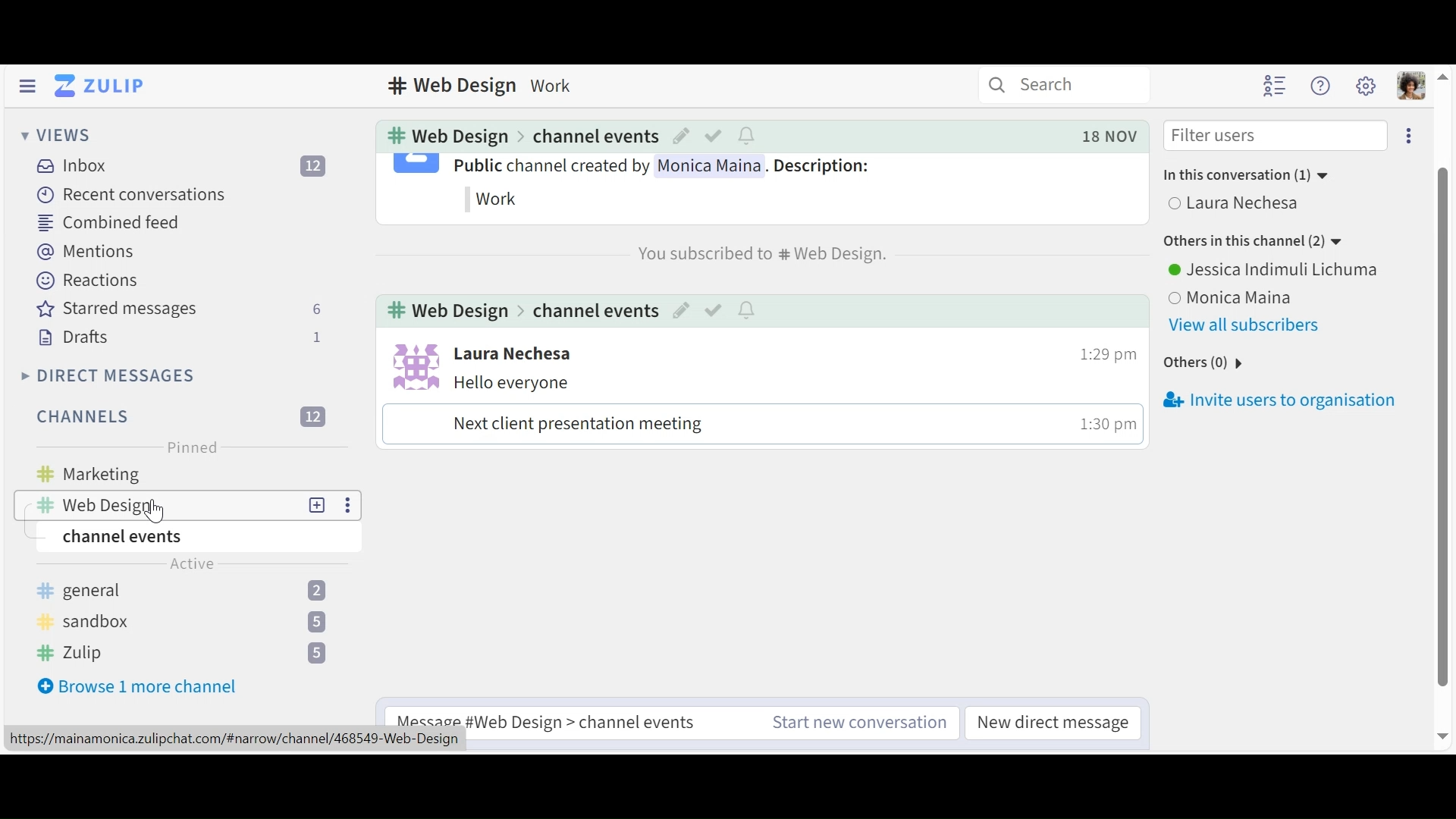  What do you see at coordinates (859, 722) in the screenshot?
I see `Start new conversation` at bounding box center [859, 722].